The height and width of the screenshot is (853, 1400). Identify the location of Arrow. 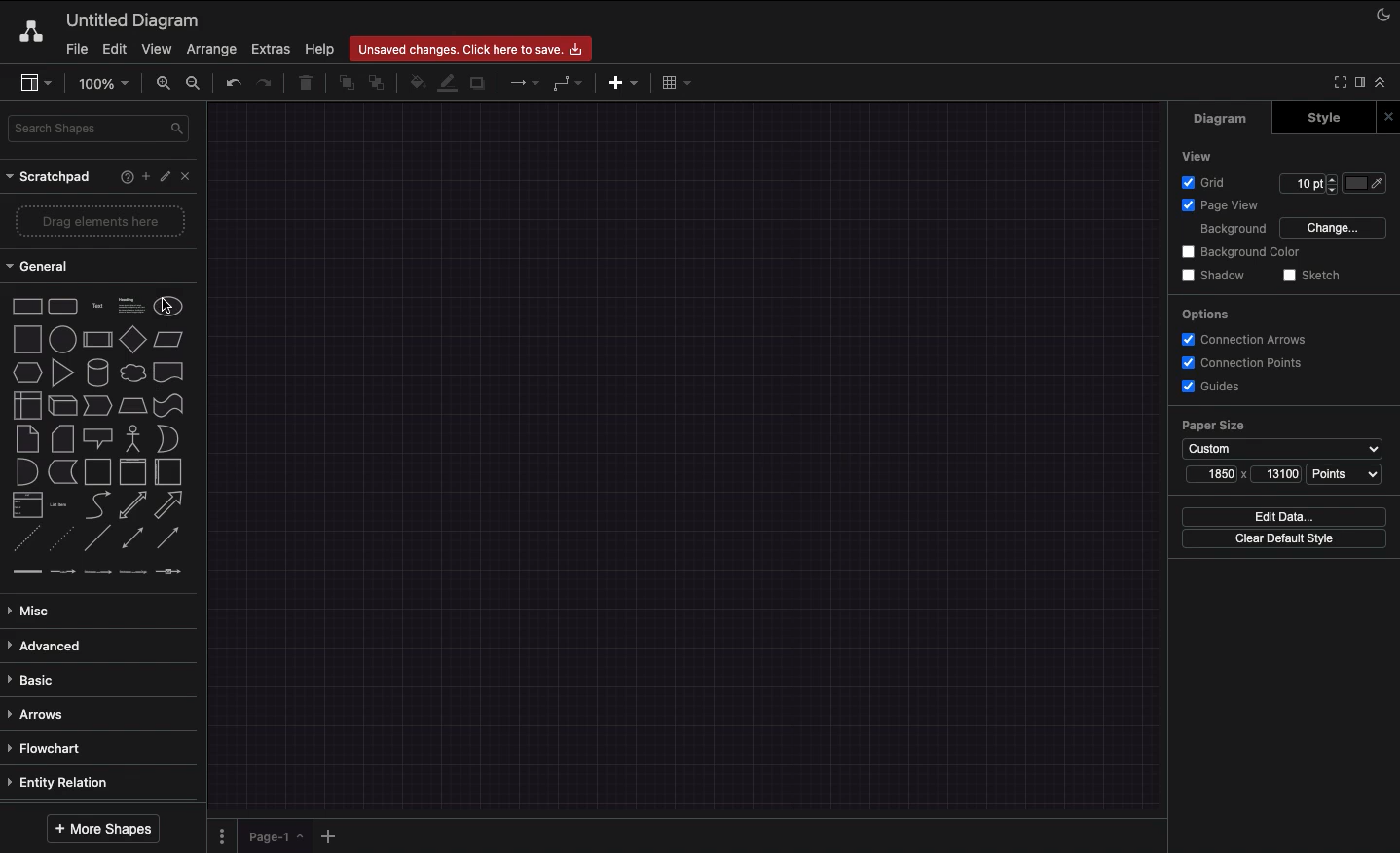
(169, 505).